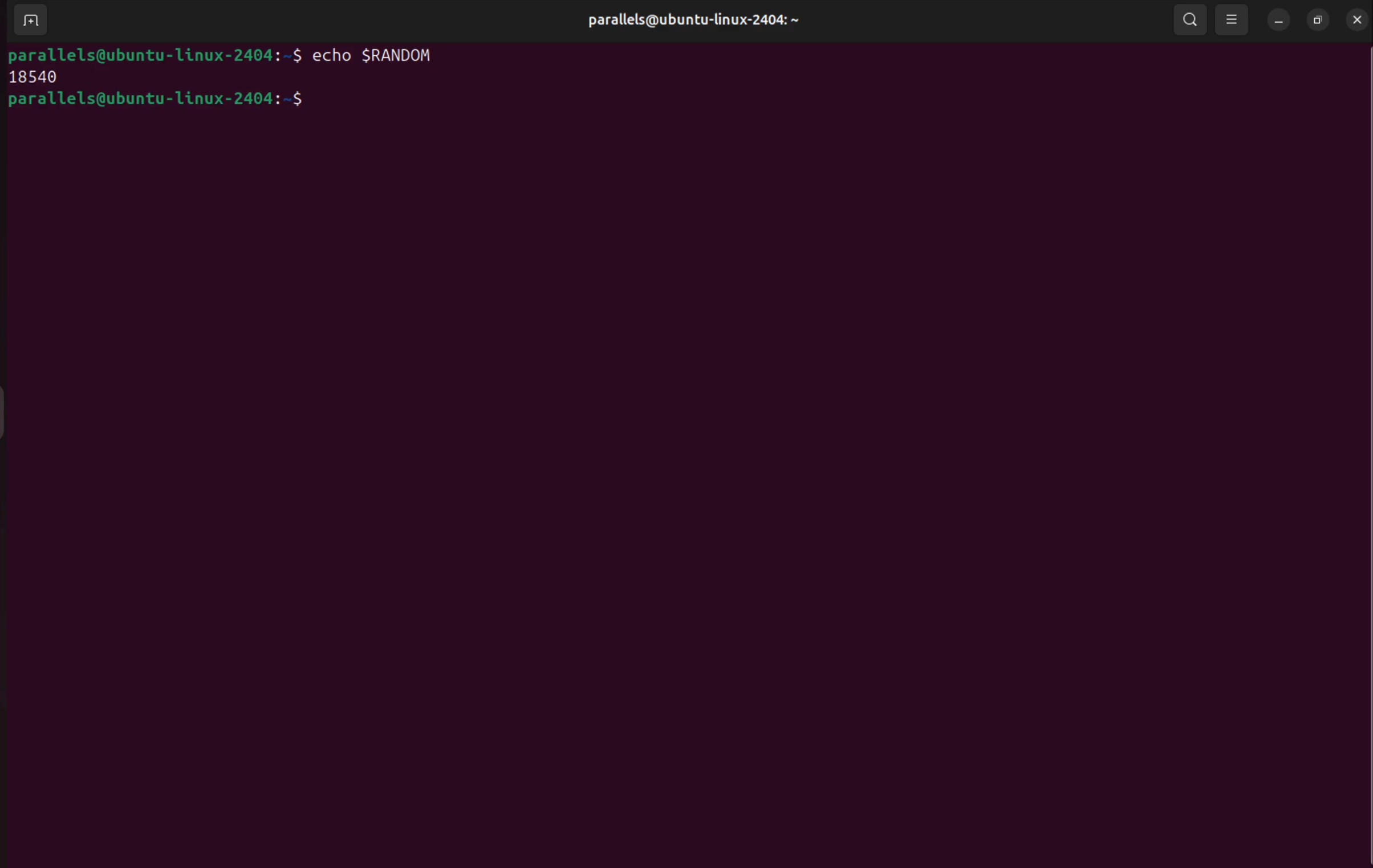  What do you see at coordinates (688, 23) in the screenshot?
I see `user profile` at bounding box center [688, 23].